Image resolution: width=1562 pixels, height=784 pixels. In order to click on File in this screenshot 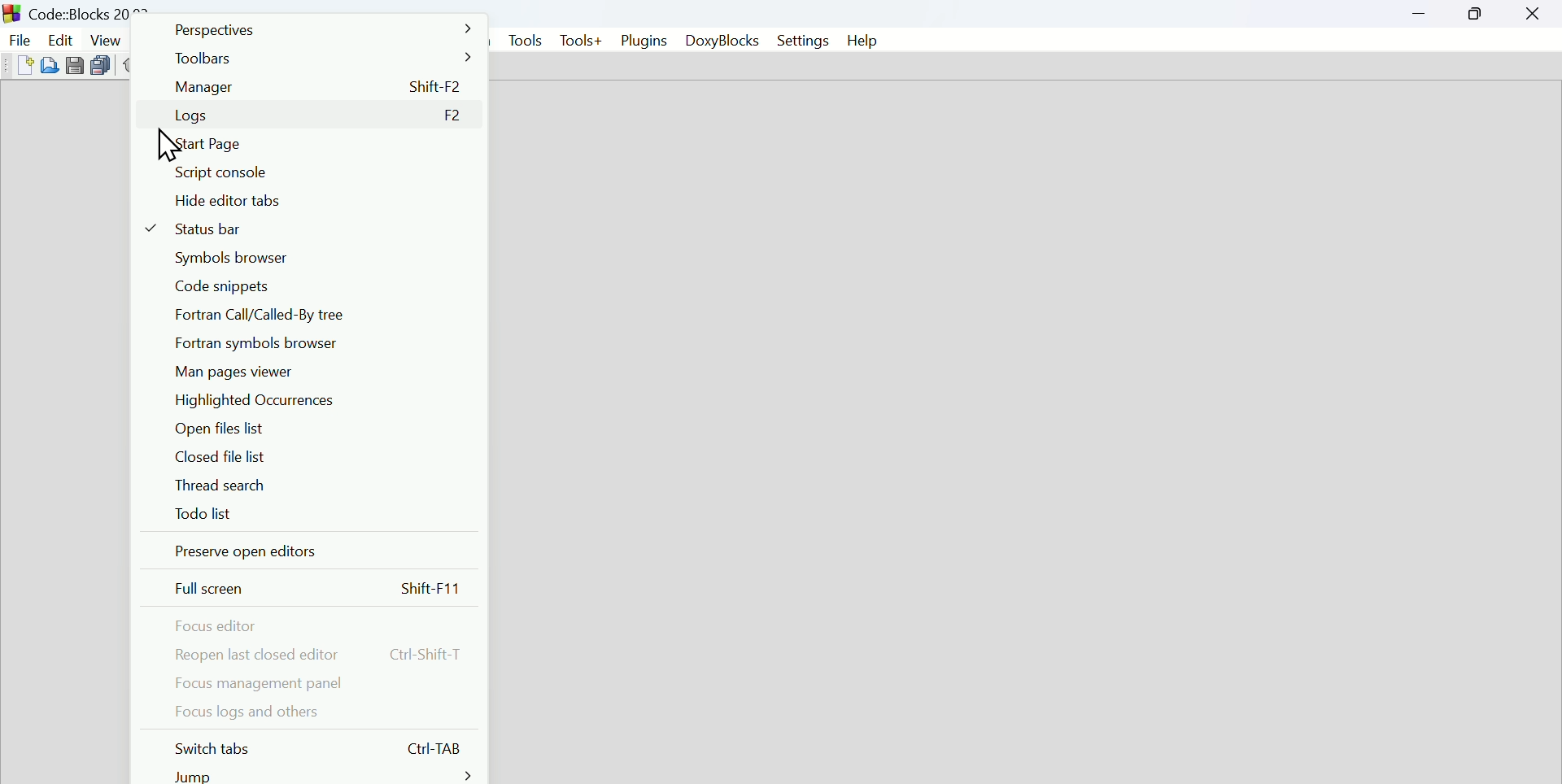, I will do `click(19, 40)`.